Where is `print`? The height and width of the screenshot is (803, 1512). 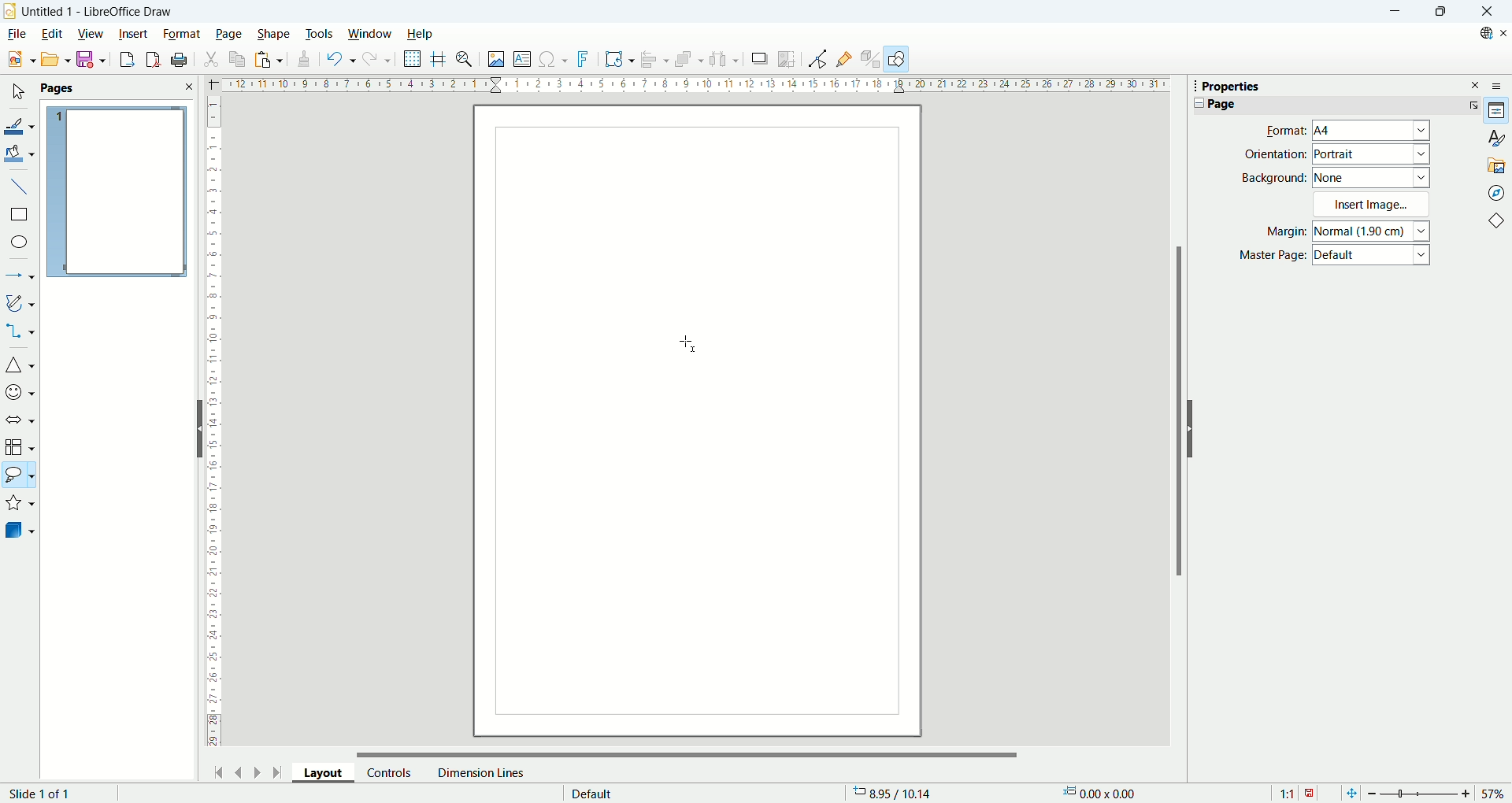 print is located at coordinates (180, 60).